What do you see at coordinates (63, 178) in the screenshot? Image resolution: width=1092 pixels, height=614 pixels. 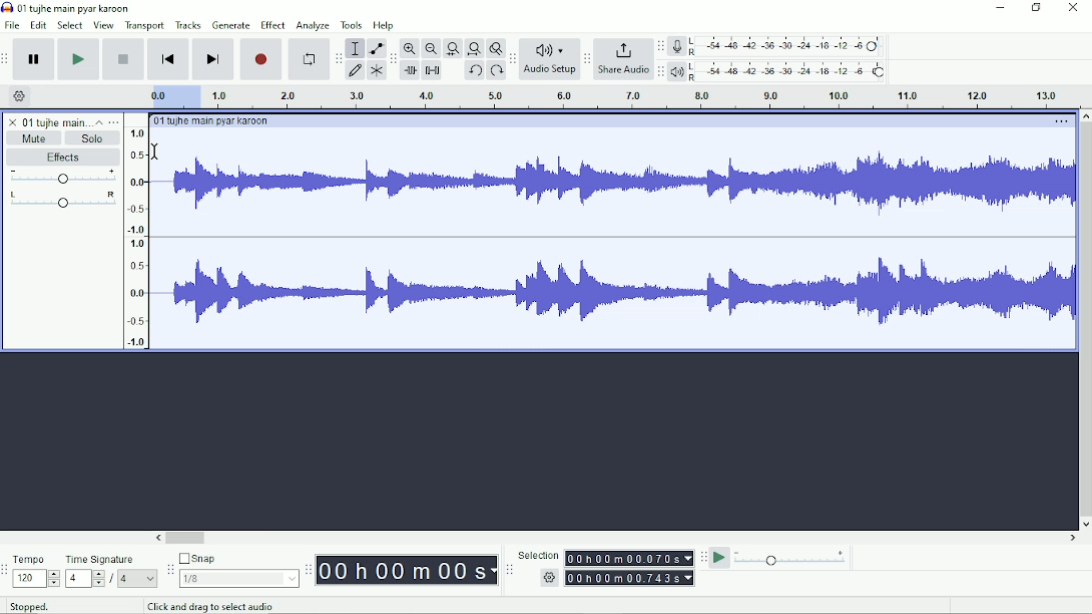 I see `Volume` at bounding box center [63, 178].